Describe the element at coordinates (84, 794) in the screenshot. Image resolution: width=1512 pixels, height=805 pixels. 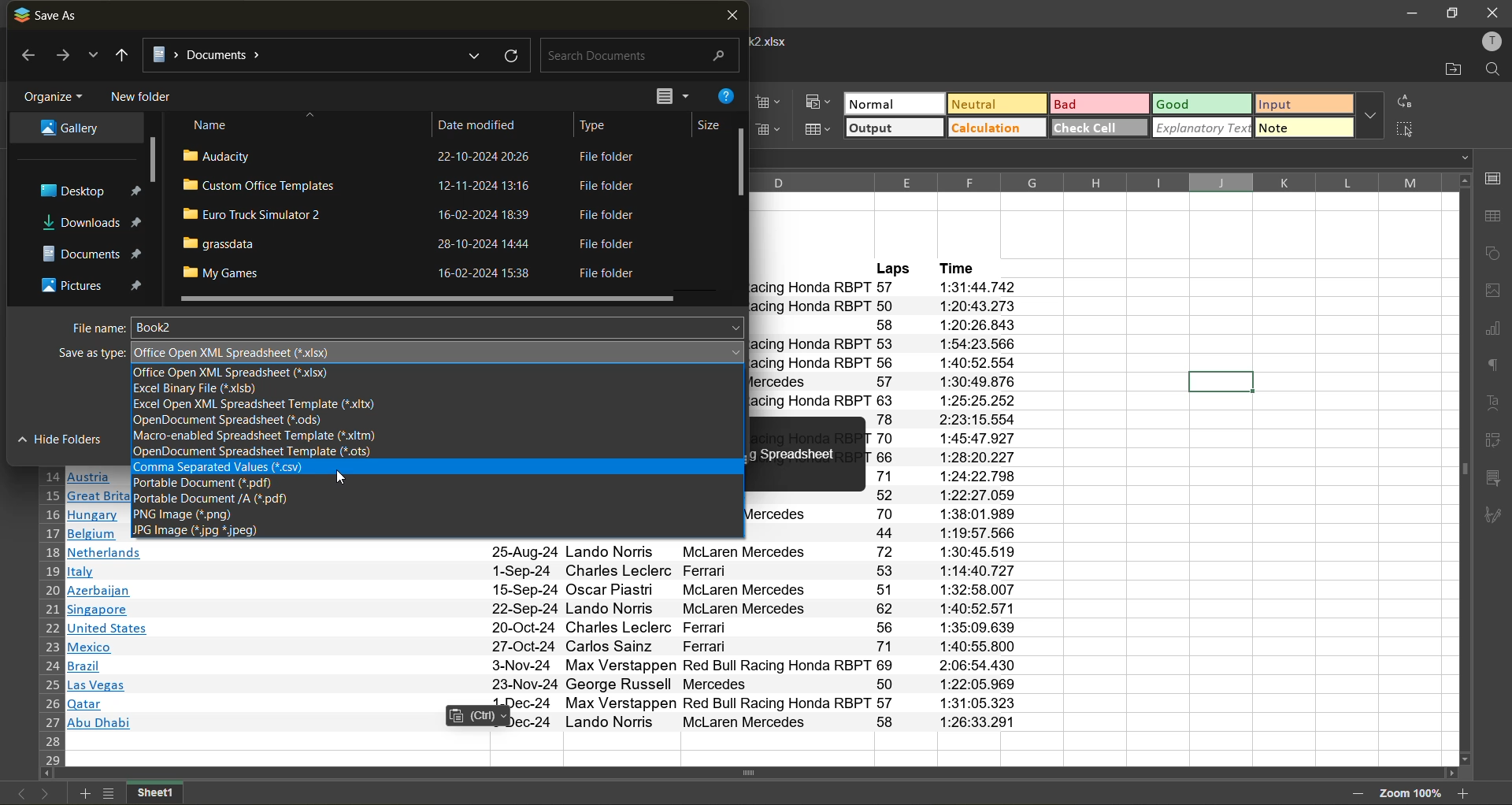
I see `add new sheet` at that location.